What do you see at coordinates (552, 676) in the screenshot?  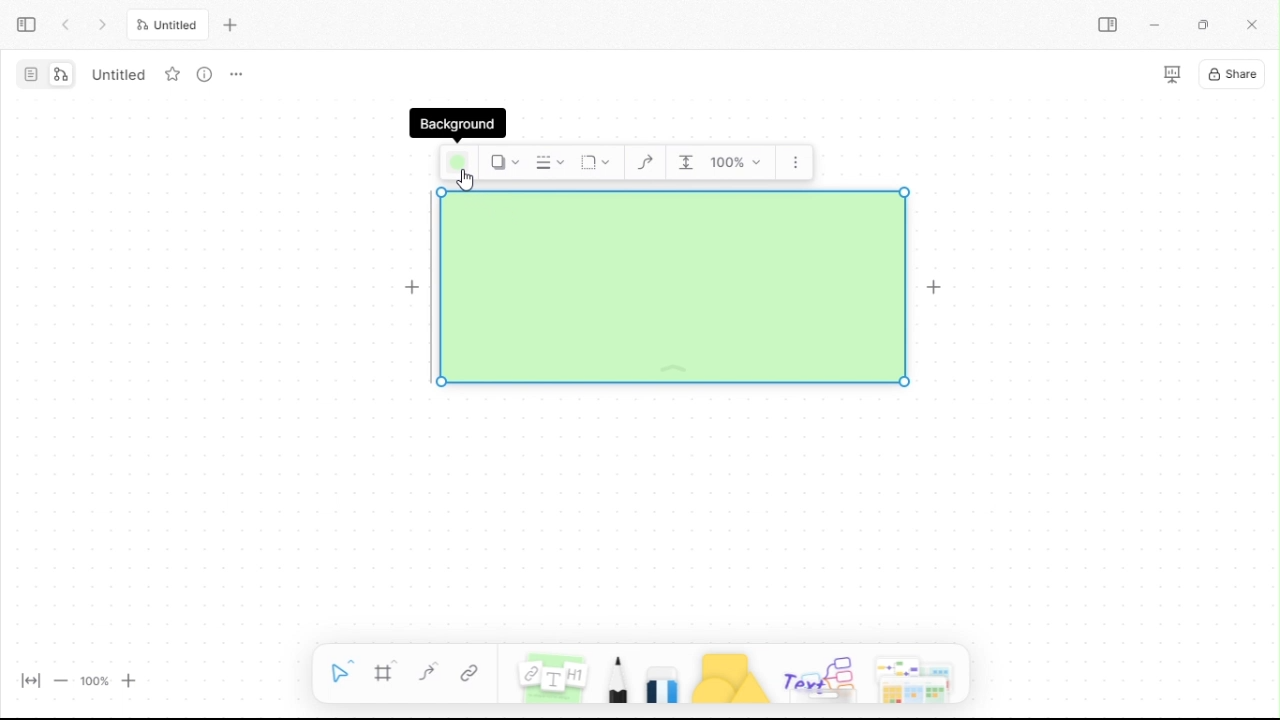 I see `notes` at bounding box center [552, 676].